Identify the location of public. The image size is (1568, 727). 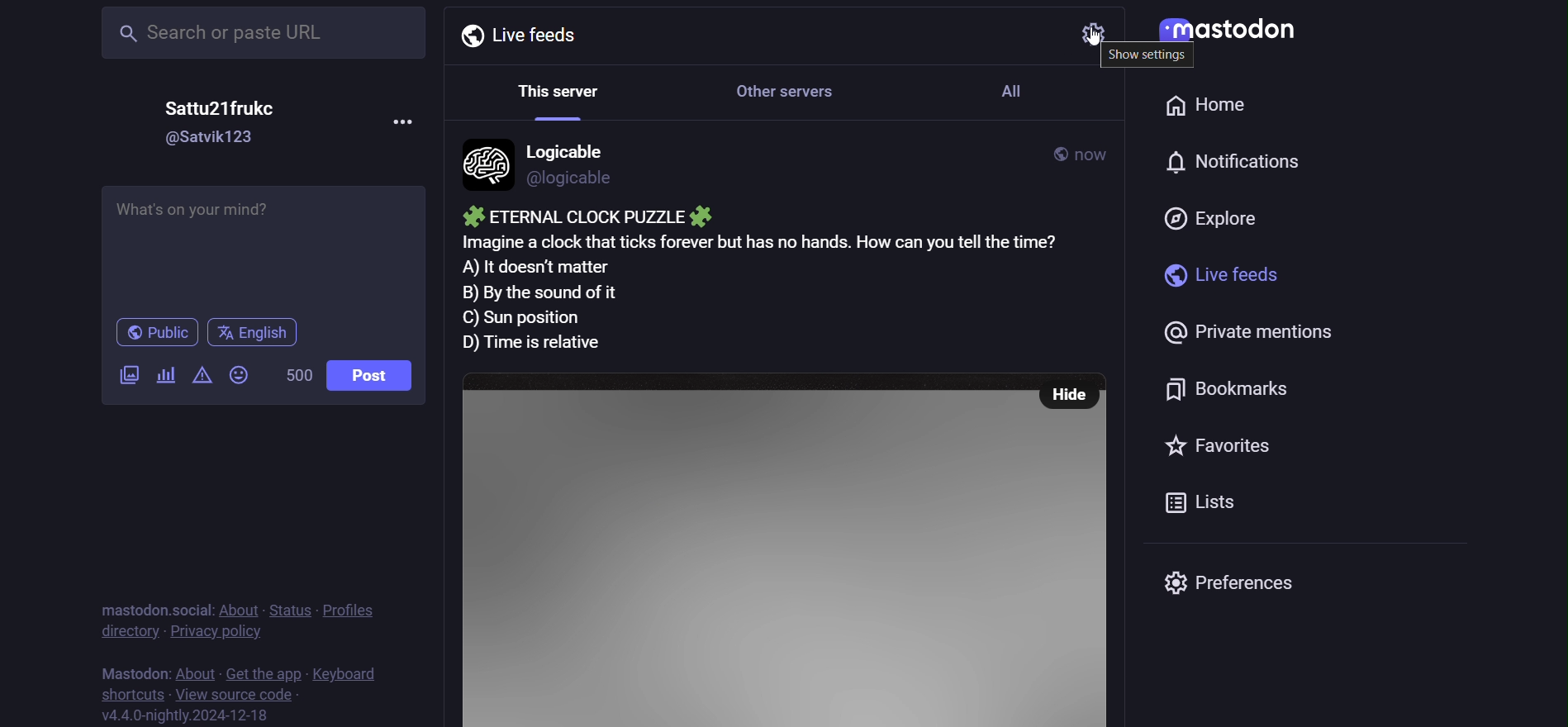
(1052, 151).